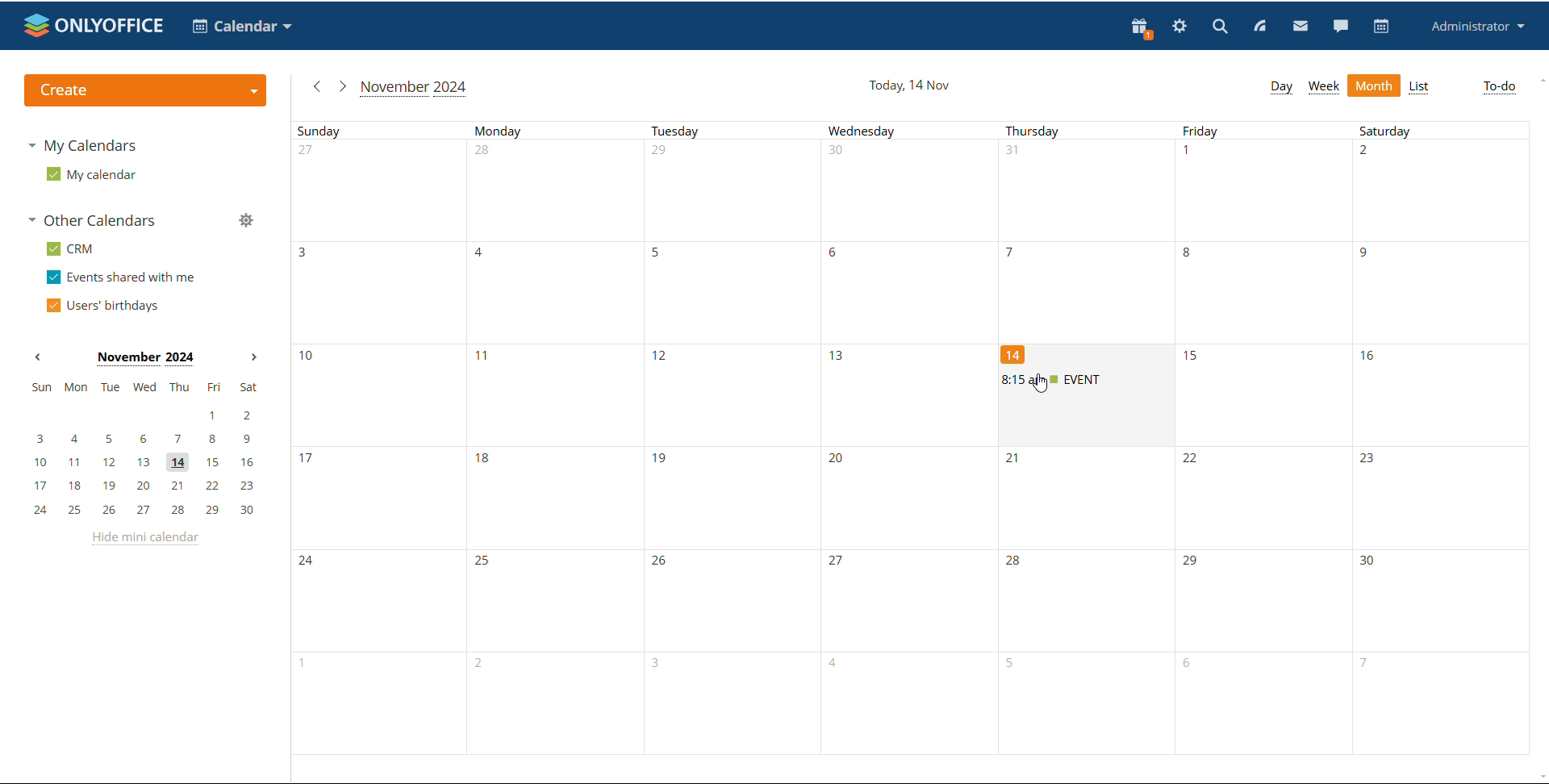  I want to click on 3, 4, 5, 6, 7, 8, 9, so click(920, 292).